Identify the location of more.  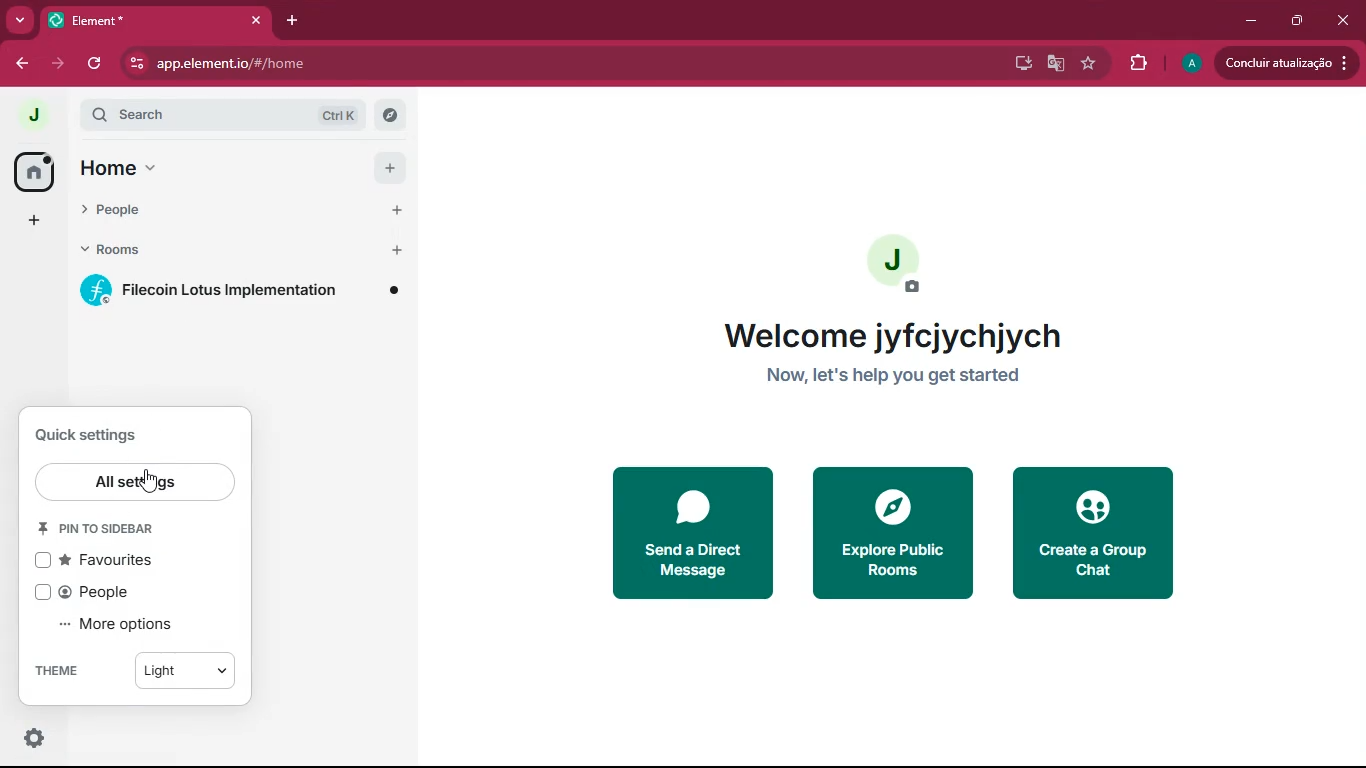
(19, 20).